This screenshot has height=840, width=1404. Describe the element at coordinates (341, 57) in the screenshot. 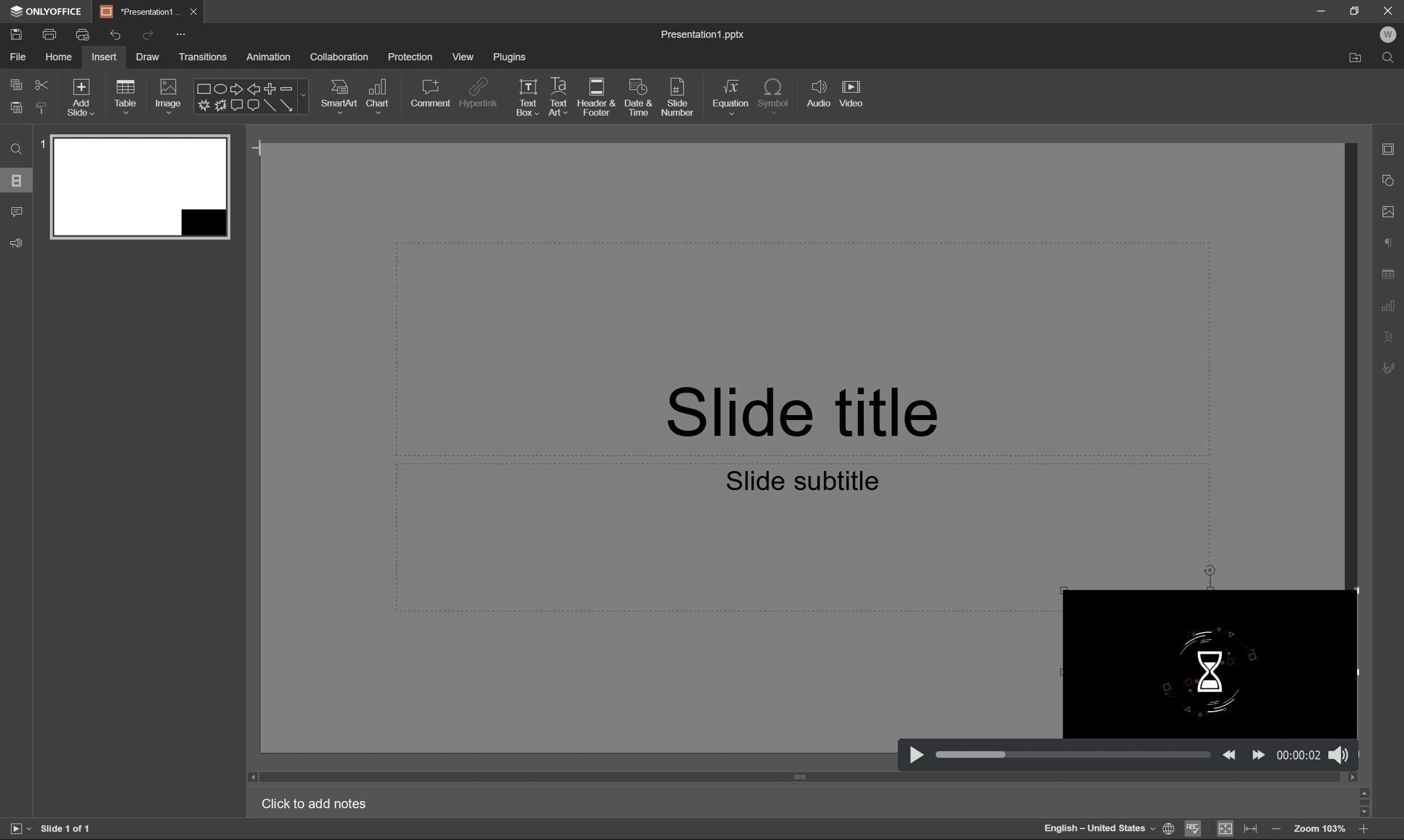

I see `collaboration` at that location.